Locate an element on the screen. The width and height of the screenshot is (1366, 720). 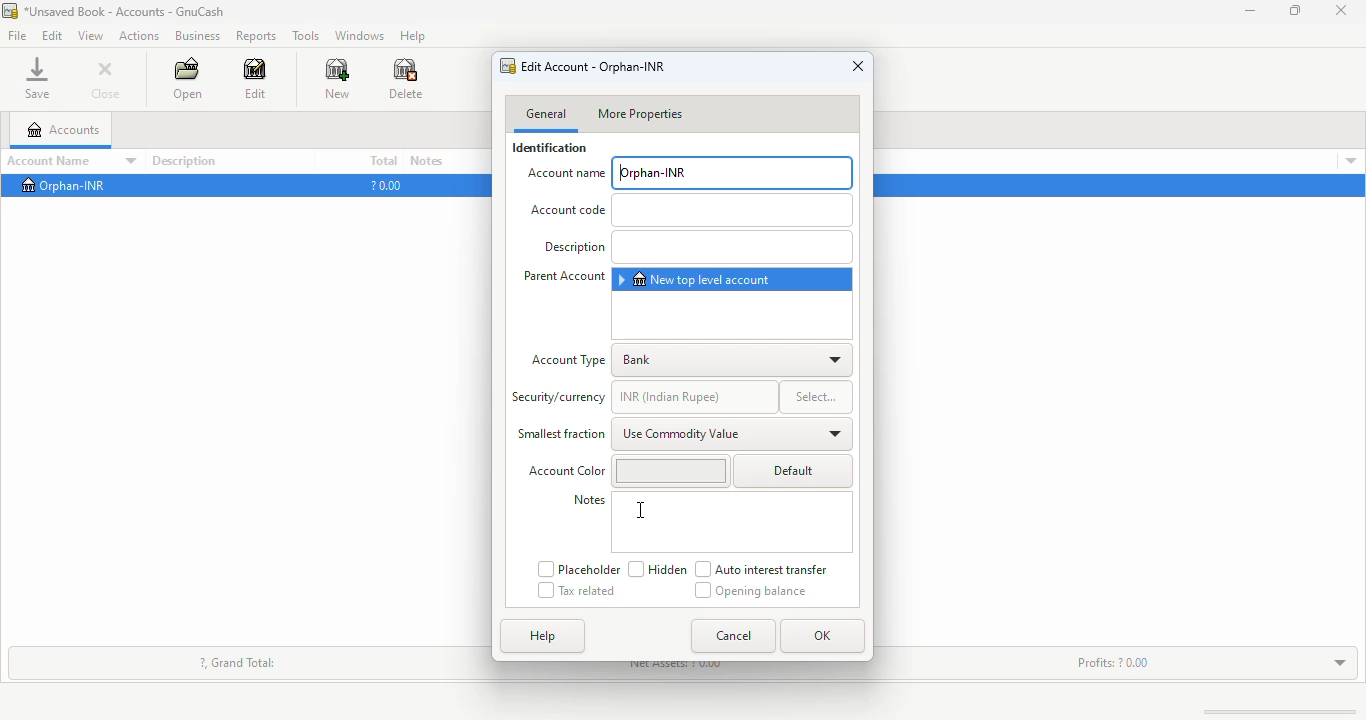
identification is located at coordinates (549, 148).